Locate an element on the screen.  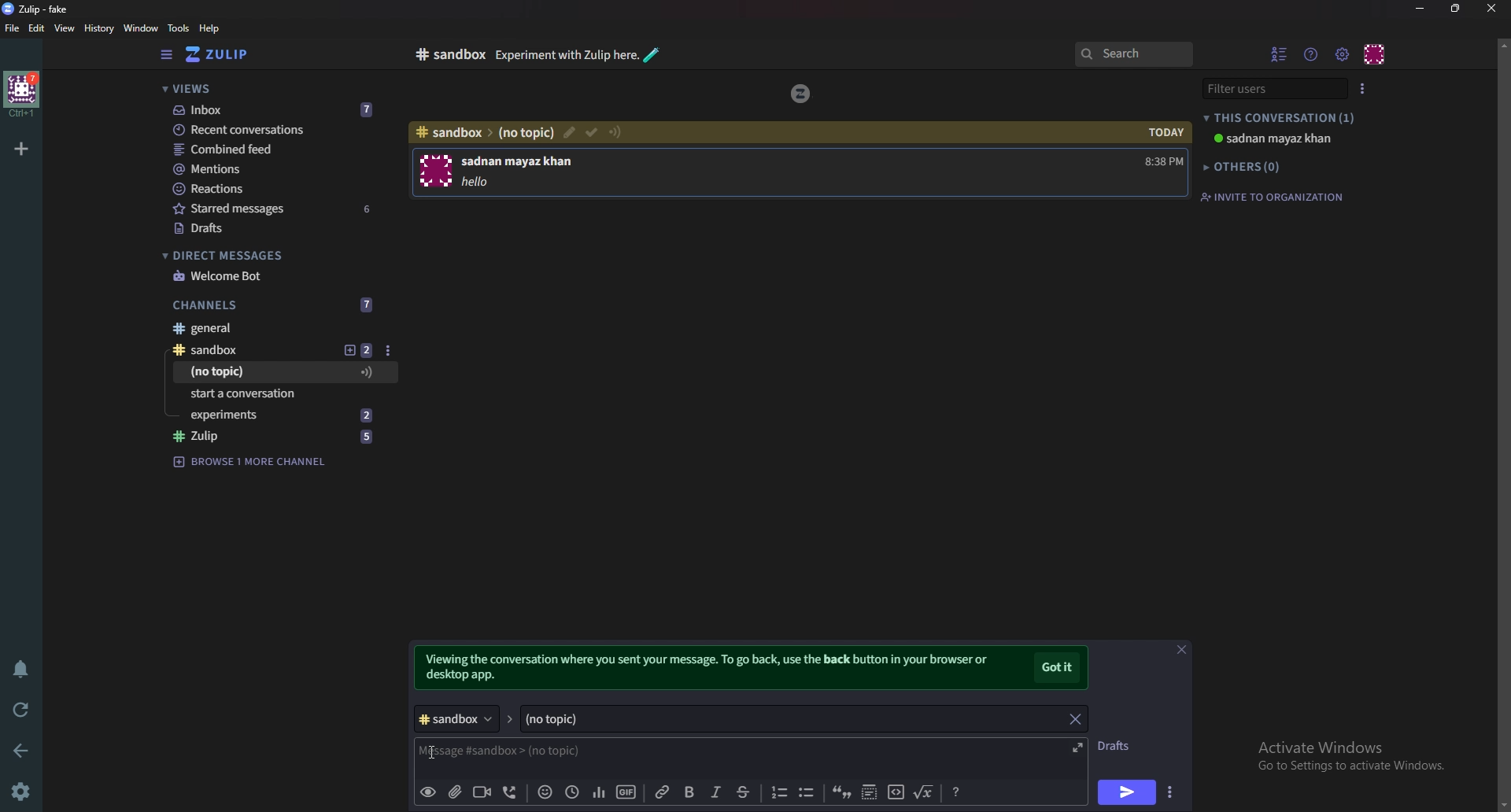
#General is located at coordinates (272, 328).